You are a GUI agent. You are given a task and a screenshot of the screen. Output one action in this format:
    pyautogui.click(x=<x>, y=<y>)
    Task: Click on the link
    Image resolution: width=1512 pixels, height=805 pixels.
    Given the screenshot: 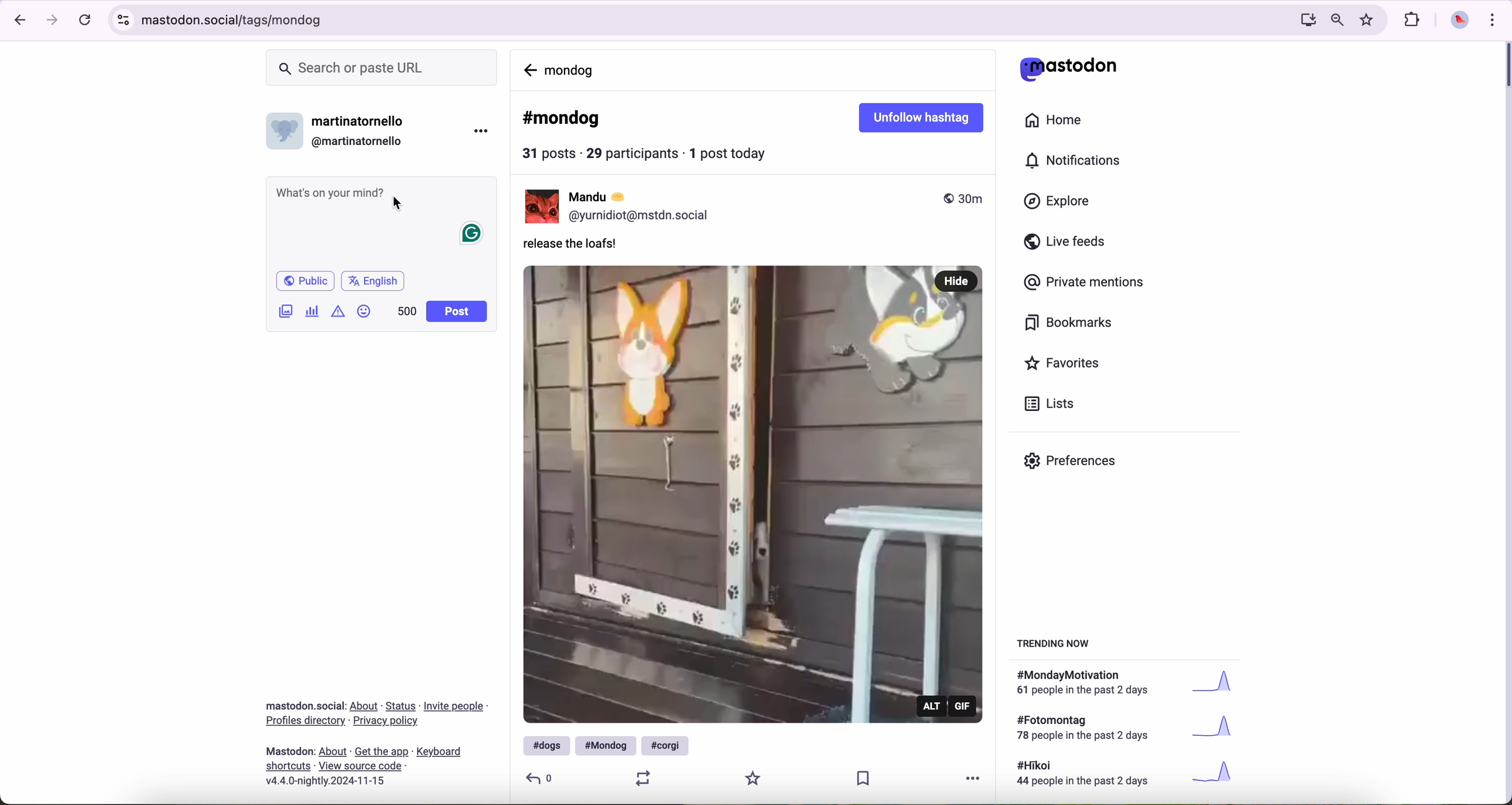 What is the action you would take?
    pyautogui.click(x=455, y=708)
    